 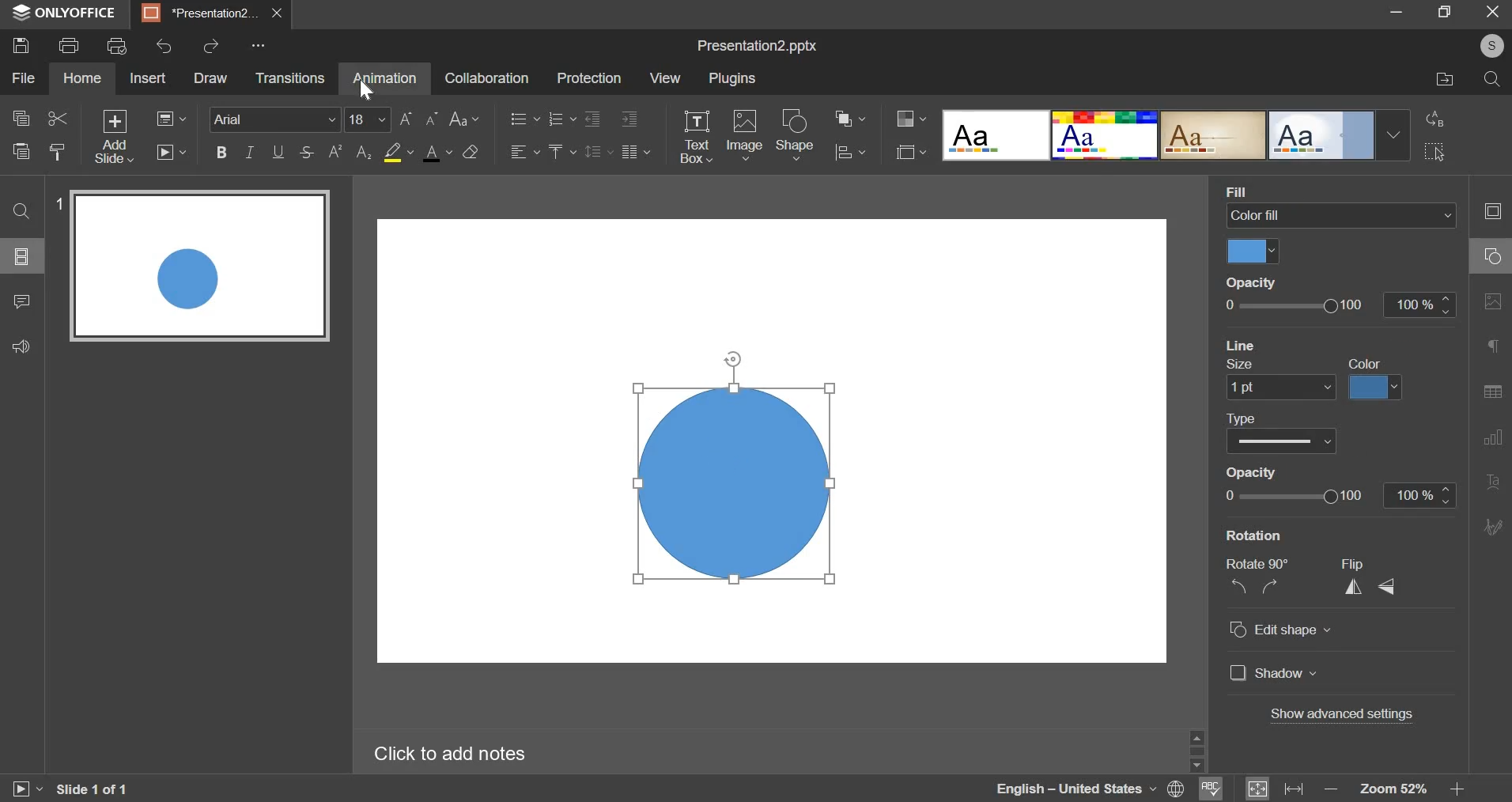 What do you see at coordinates (1293, 471) in the screenshot?
I see `show date and time` at bounding box center [1293, 471].